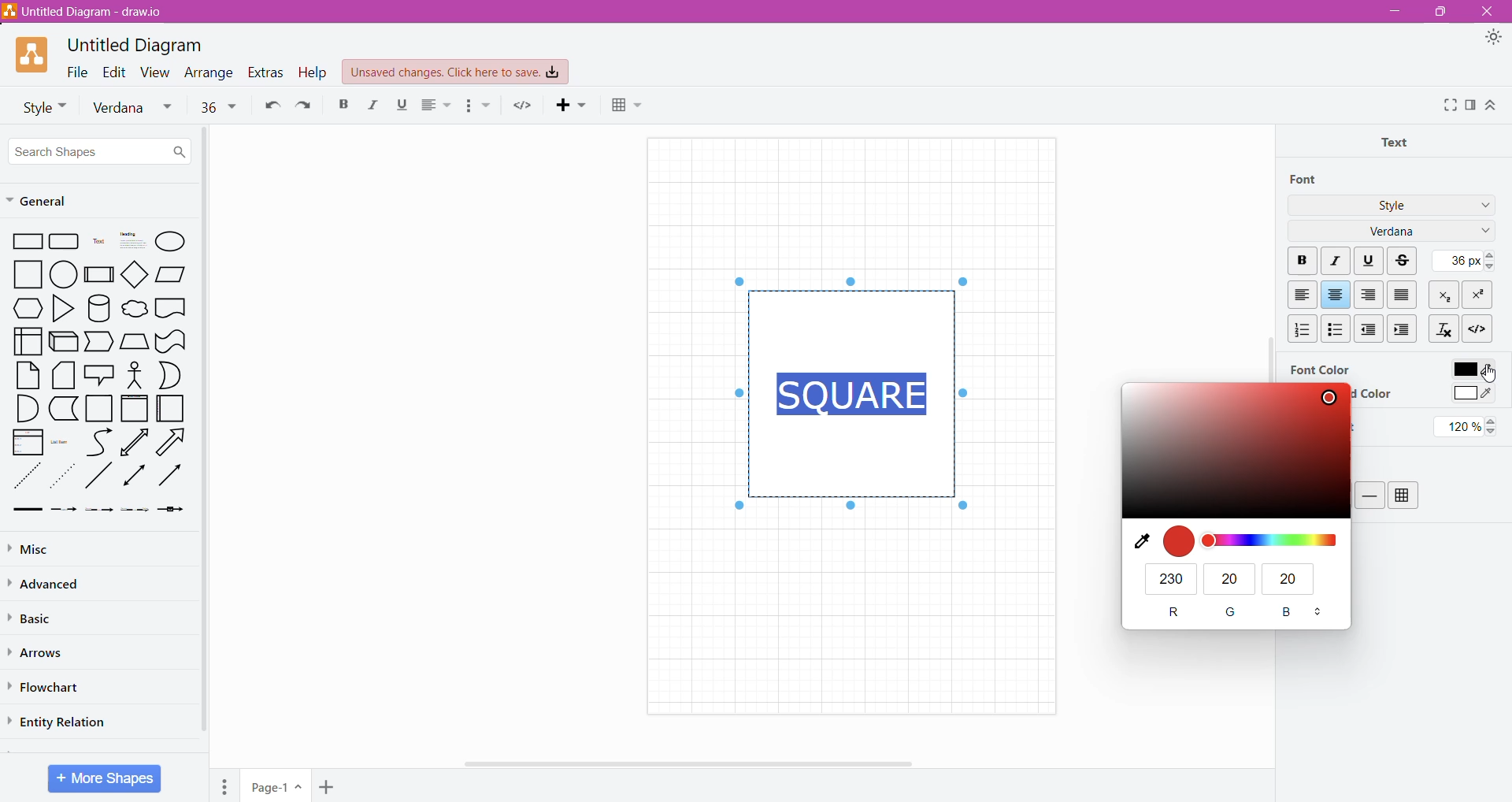  What do you see at coordinates (1289, 614) in the screenshot?
I see `B` at bounding box center [1289, 614].